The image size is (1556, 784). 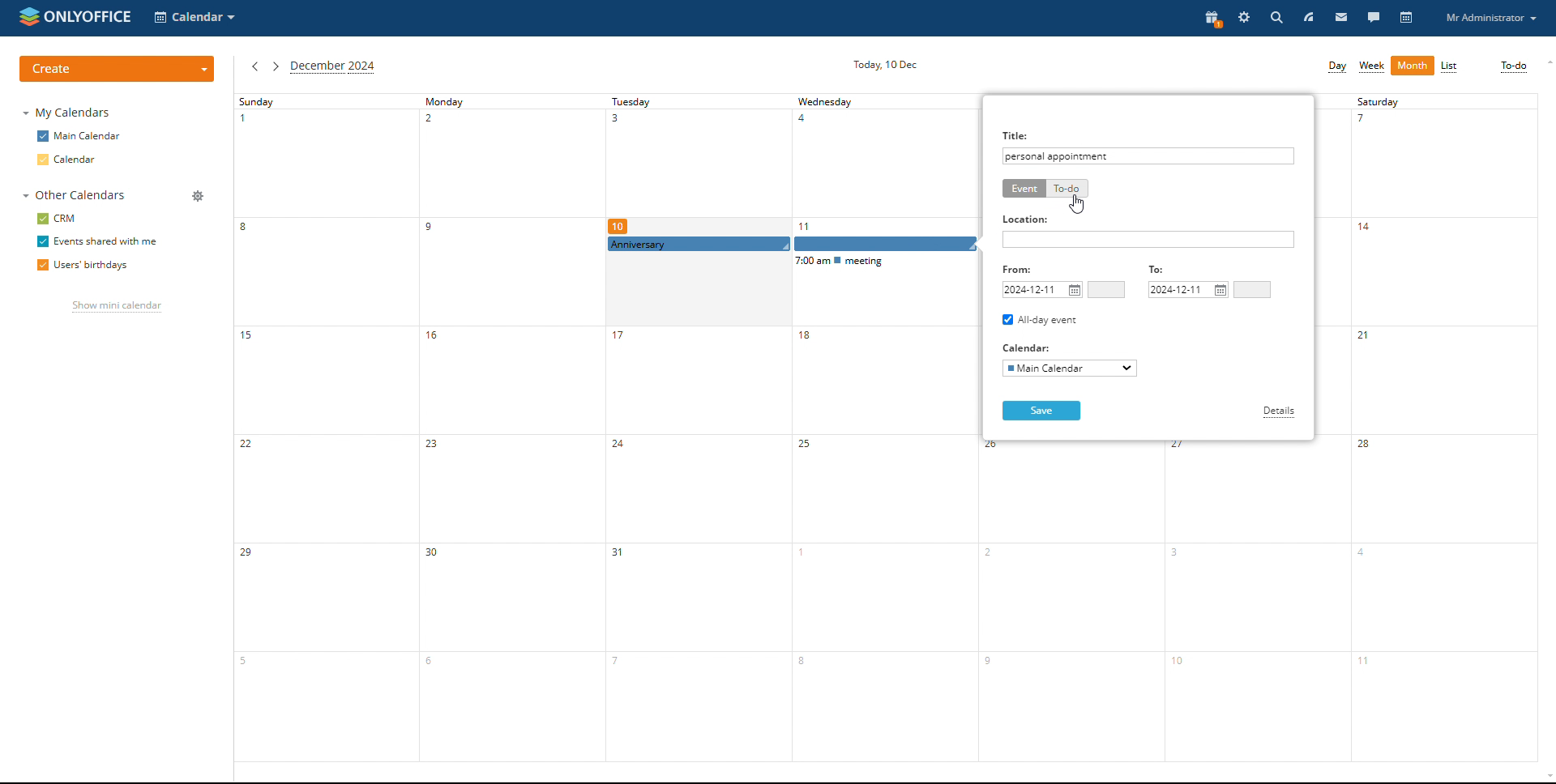 What do you see at coordinates (28, 19) in the screenshot?
I see `onlyoffice logo` at bounding box center [28, 19].